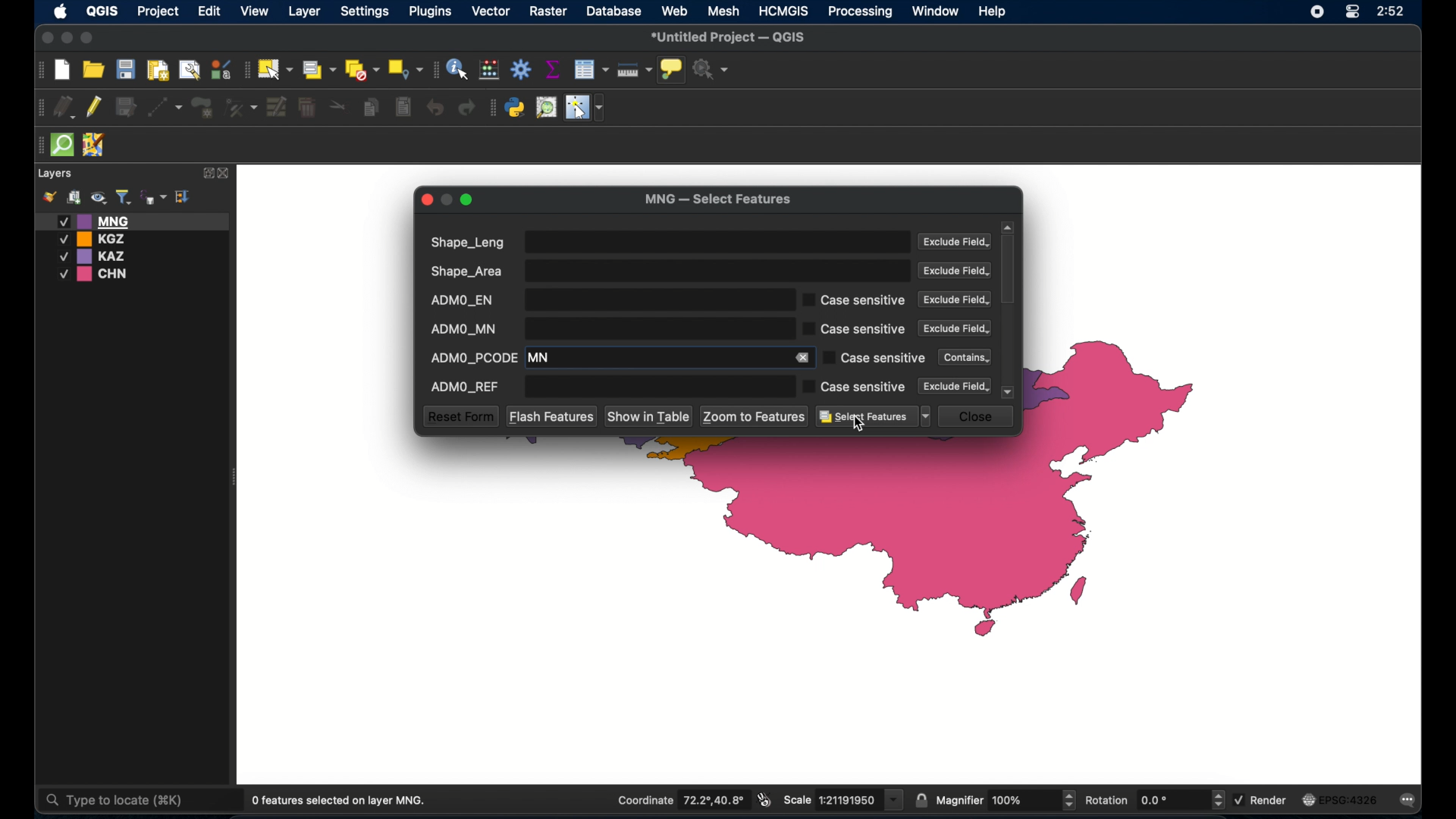  Describe the element at coordinates (38, 145) in the screenshot. I see `drag handle` at that location.